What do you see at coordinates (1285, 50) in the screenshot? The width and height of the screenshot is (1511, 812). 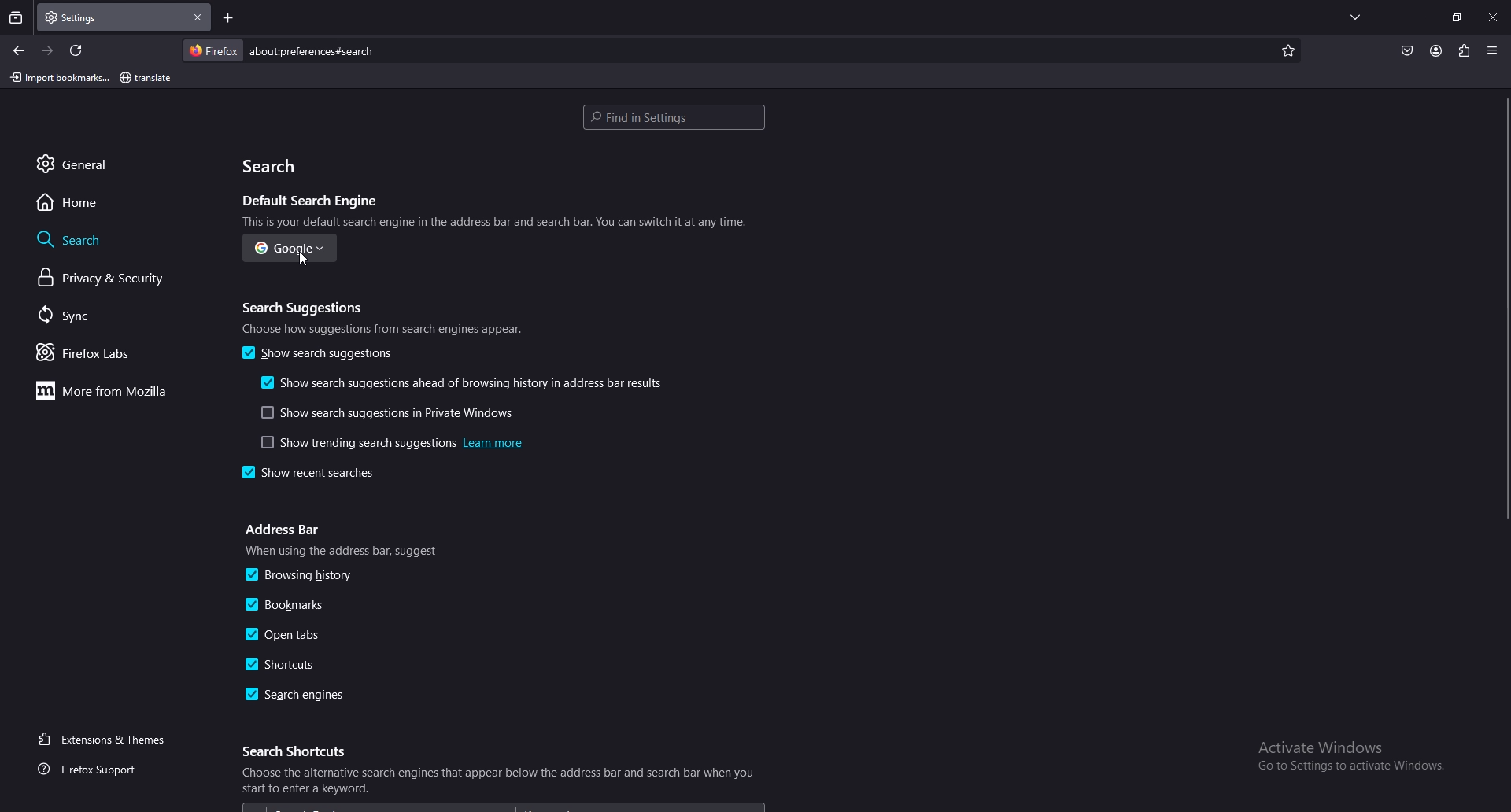 I see `favorites` at bounding box center [1285, 50].